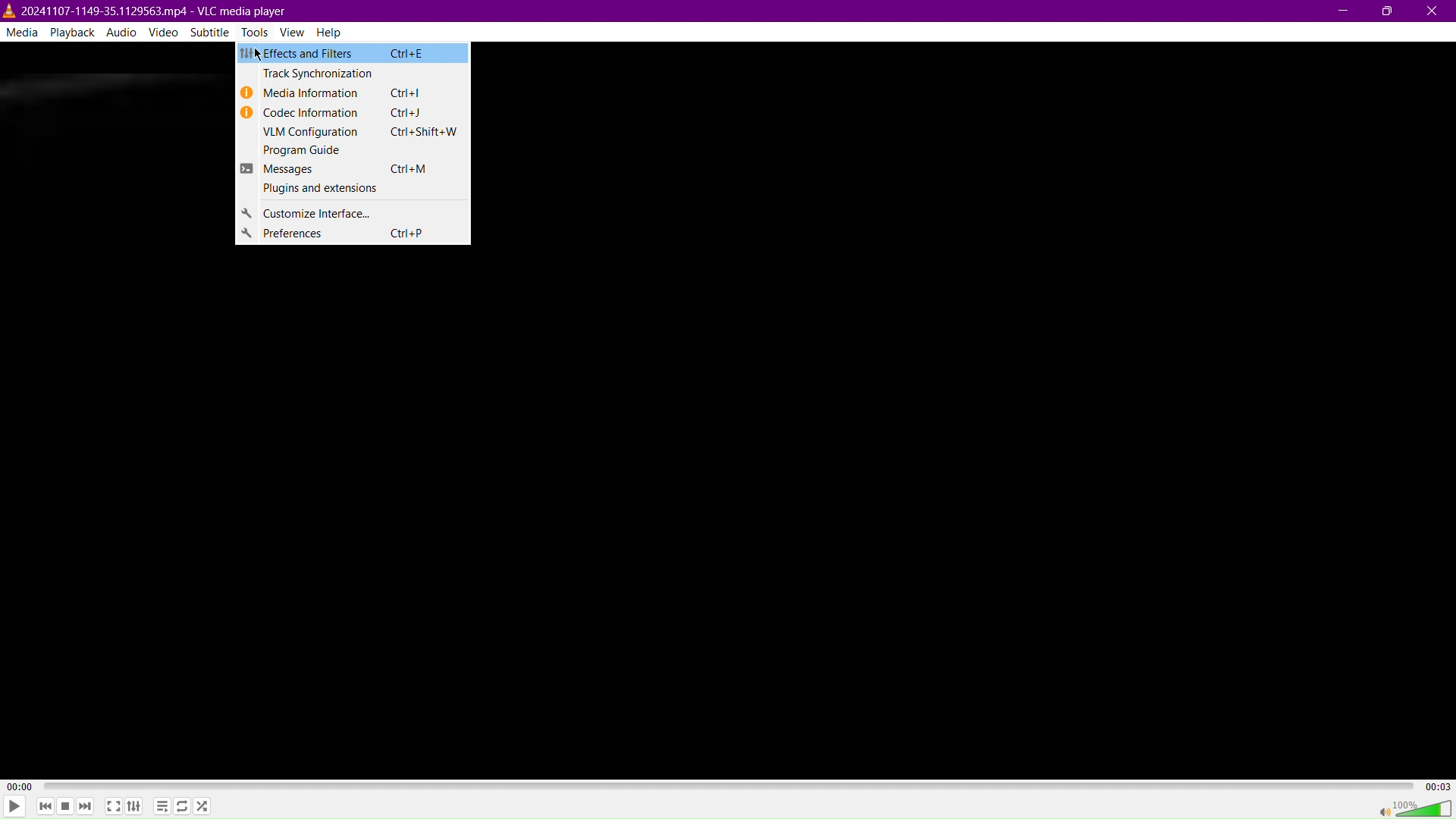 This screenshot has height=819, width=1456. What do you see at coordinates (71, 32) in the screenshot?
I see `Playback` at bounding box center [71, 32].